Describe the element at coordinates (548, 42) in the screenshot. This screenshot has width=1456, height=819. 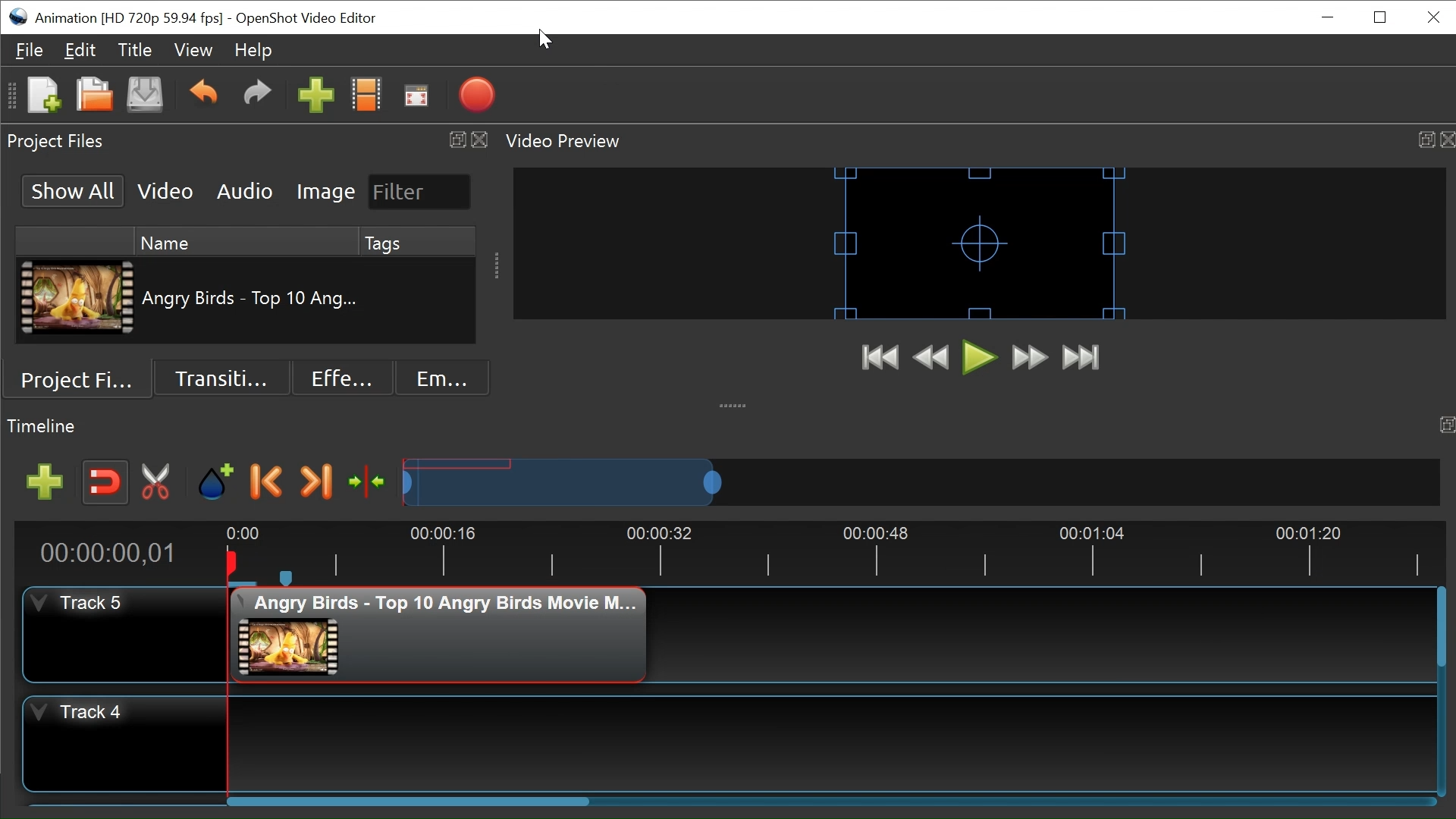
I see `Cursor` at that location.